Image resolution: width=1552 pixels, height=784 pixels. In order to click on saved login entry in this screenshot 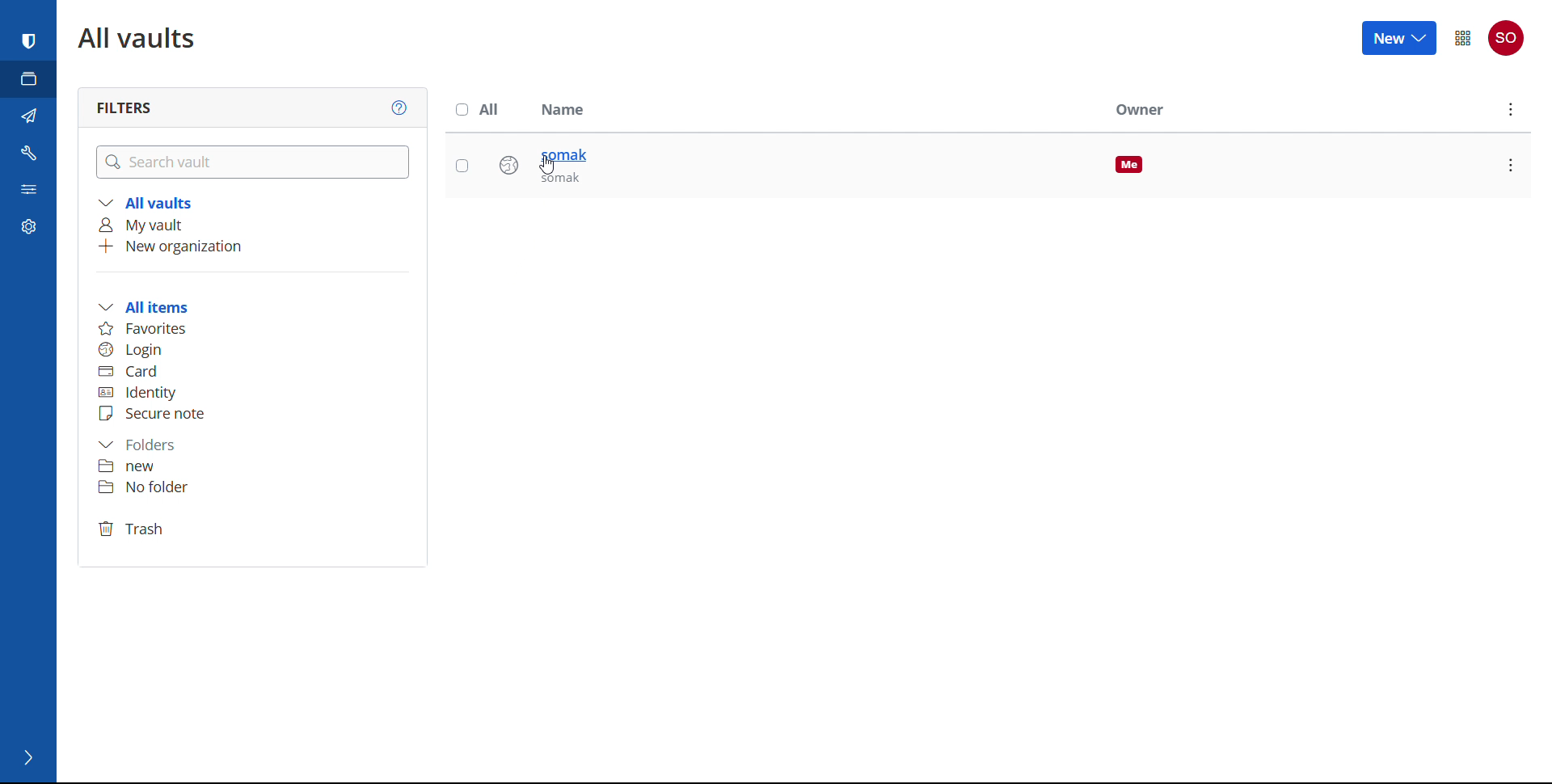, I will do `click(546, 163)`.